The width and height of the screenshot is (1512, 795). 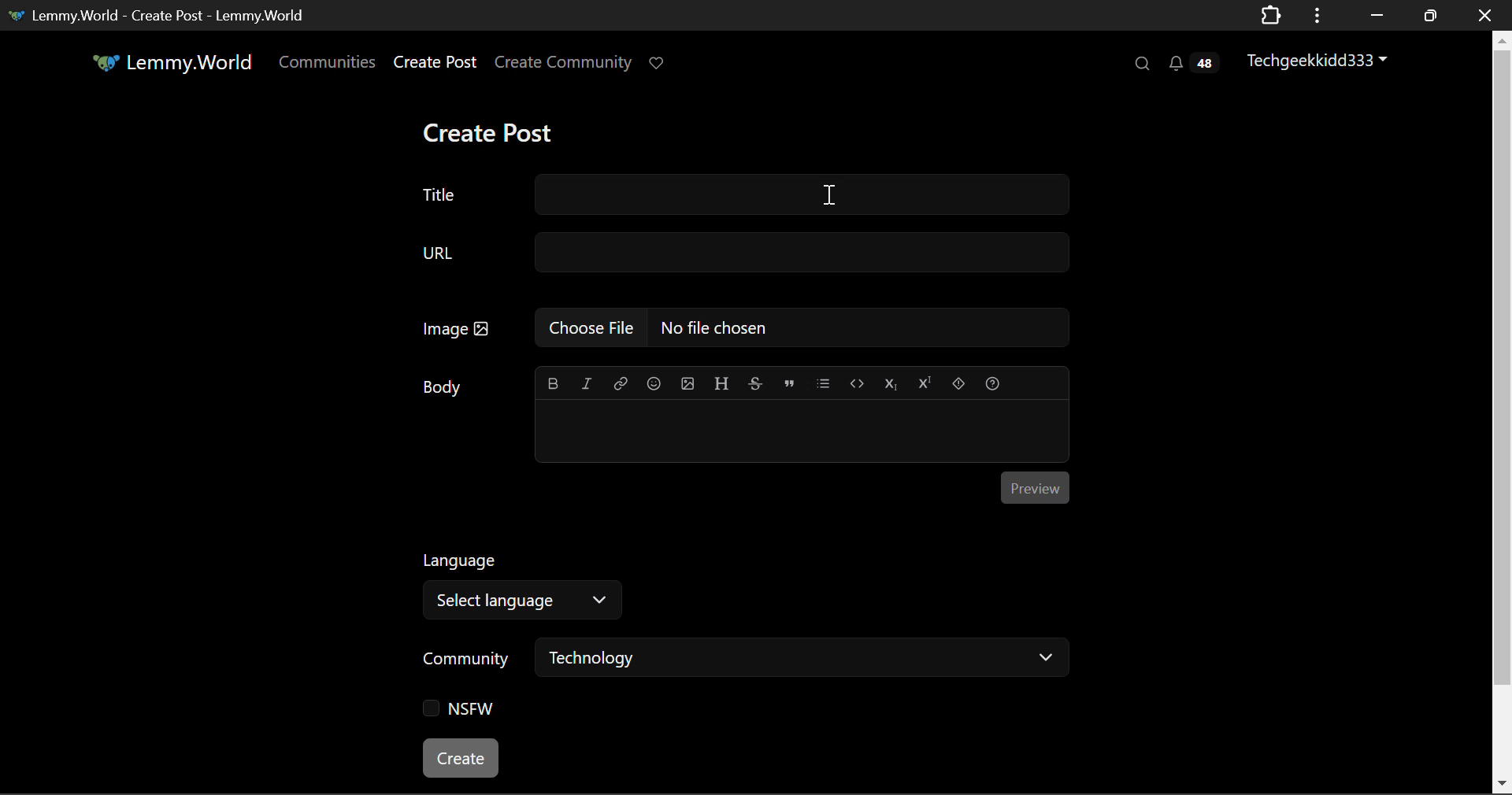 What do you see at coordinates (621, 382) in the screenshot?
I see `link` at bounding box center [621, 382].